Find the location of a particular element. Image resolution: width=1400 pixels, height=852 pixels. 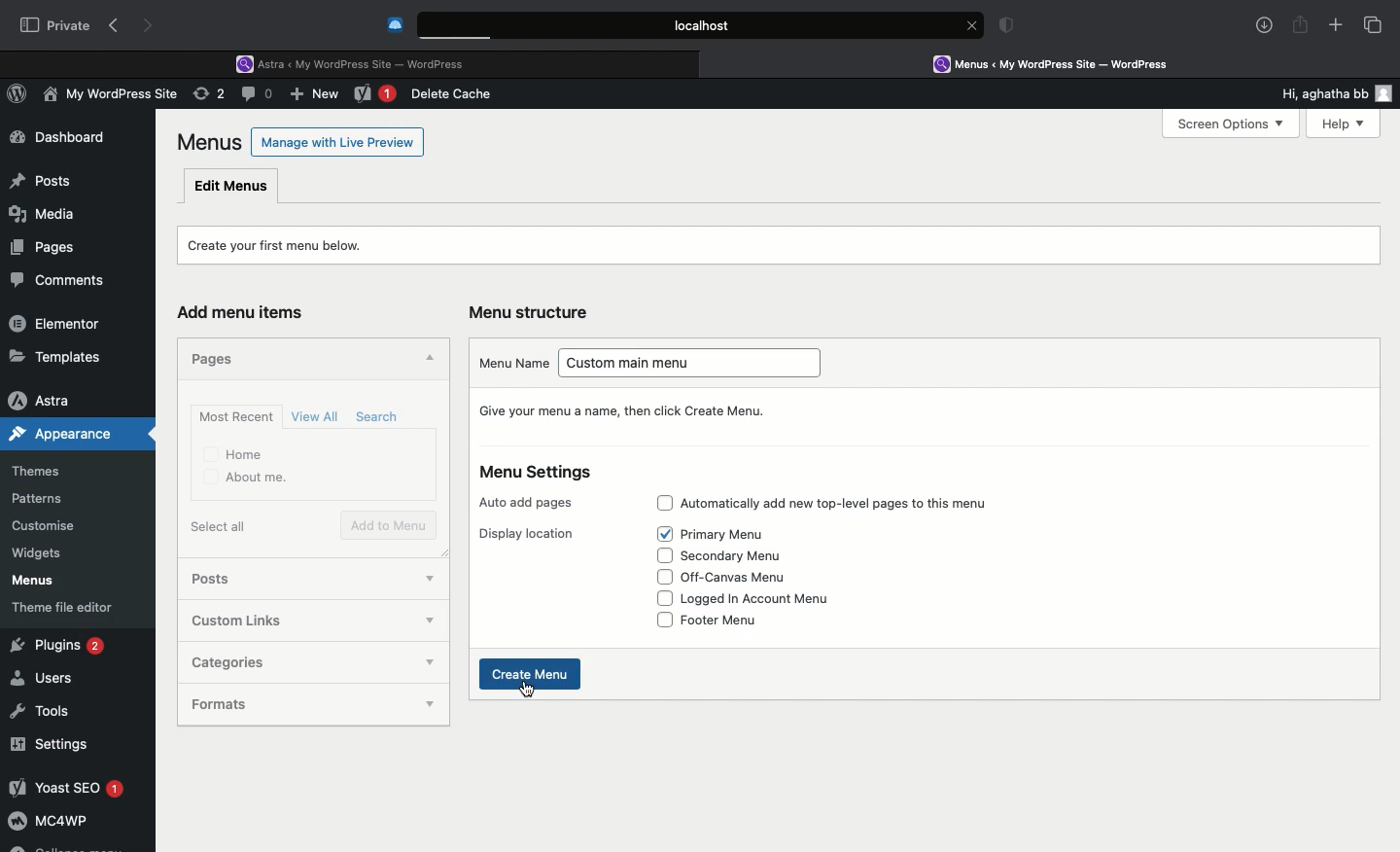

Check box is located at coordinates (662, 554).